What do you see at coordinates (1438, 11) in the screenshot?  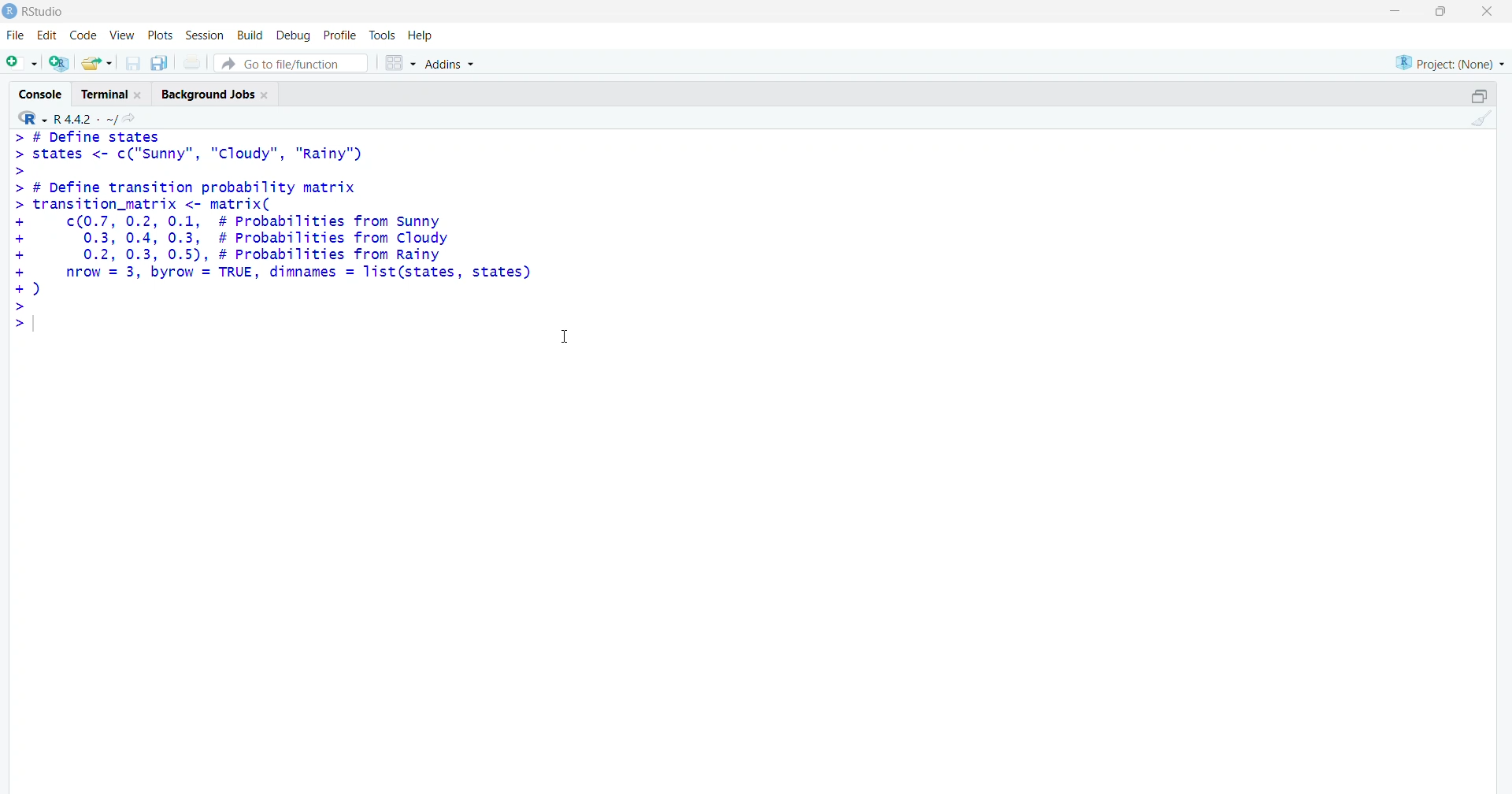 I see `maximize` at bounding box center [1438, 11].